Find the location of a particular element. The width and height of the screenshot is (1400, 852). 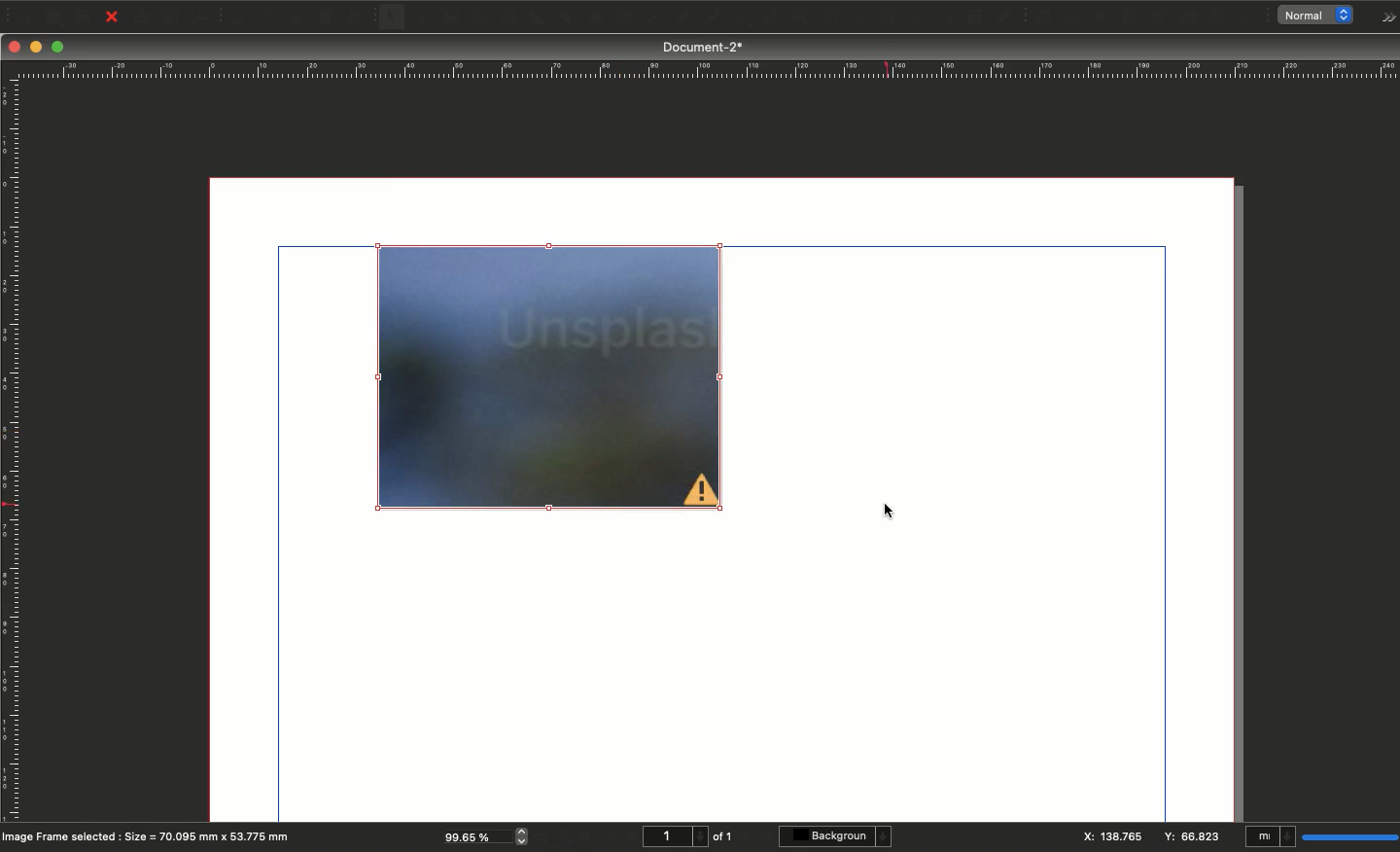

Spiral is located at coordinates (628, 19).